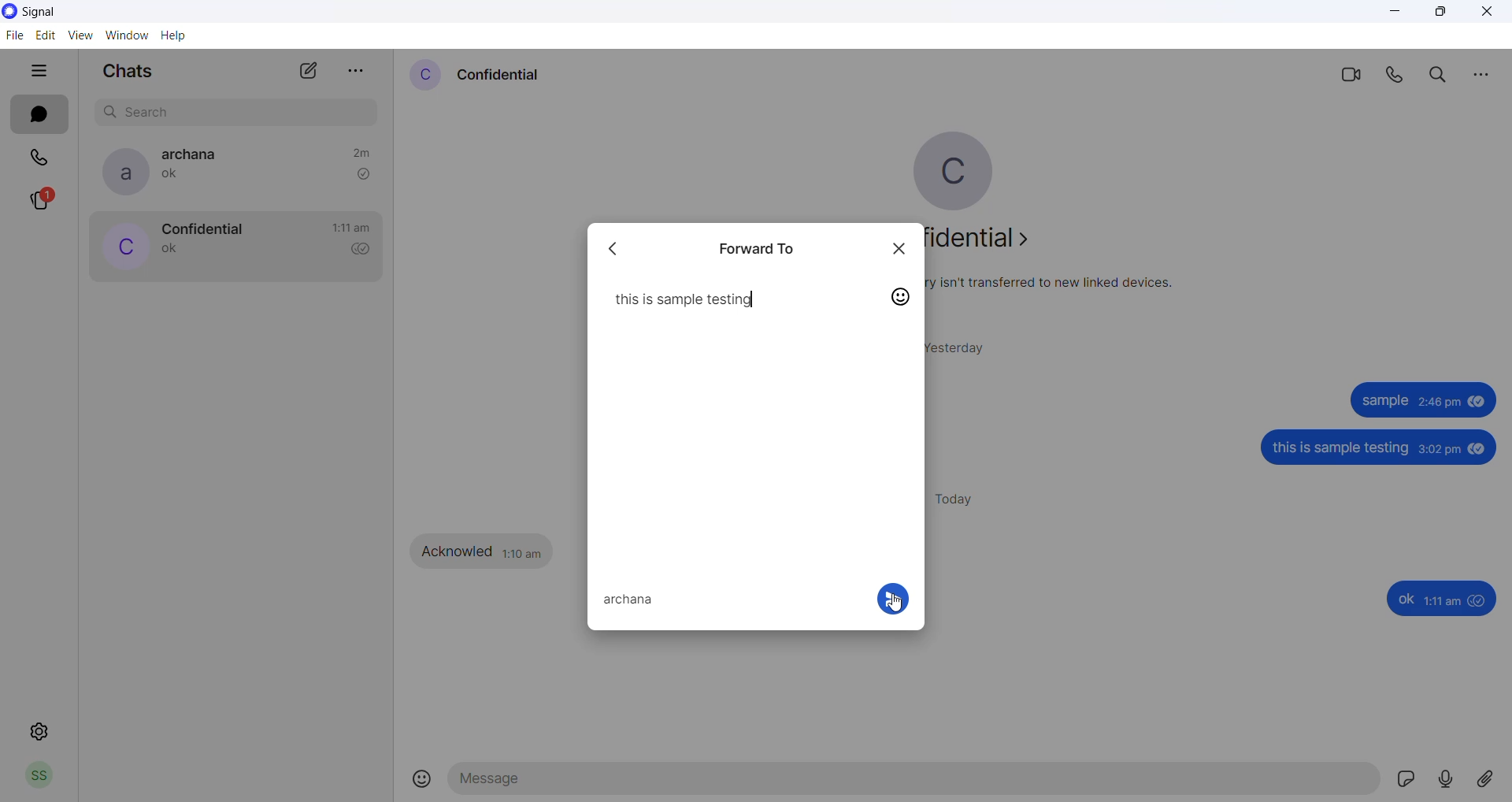 This screenshot has width=1512, height=802. Describe the element at coordinates (357, 66) in the screenshot. I see `more options` at that location.